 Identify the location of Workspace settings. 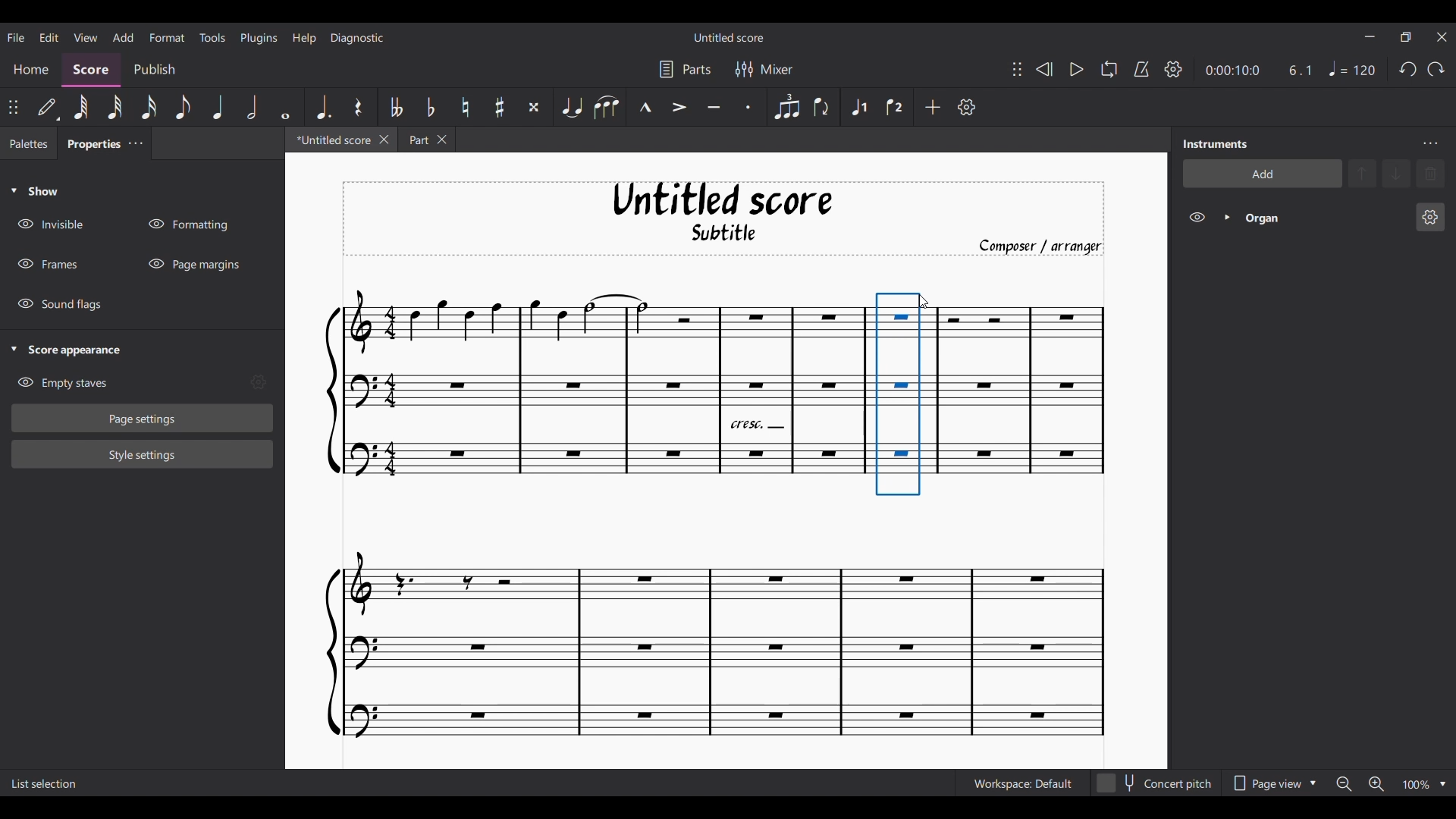
(1021, 783).